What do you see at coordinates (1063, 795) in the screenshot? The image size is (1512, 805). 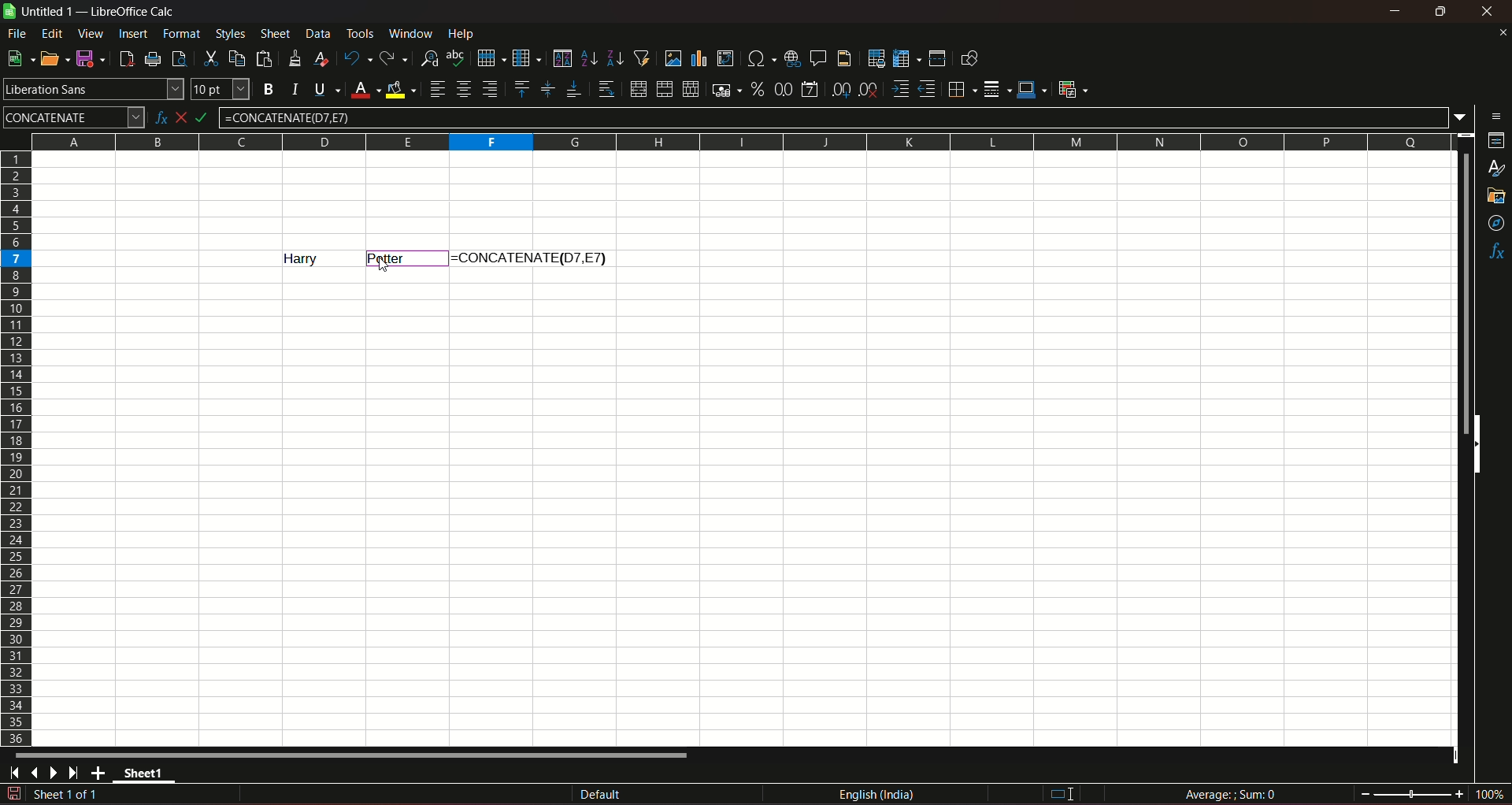 I see `I beam cursor` at bounding box center [1063, 795].